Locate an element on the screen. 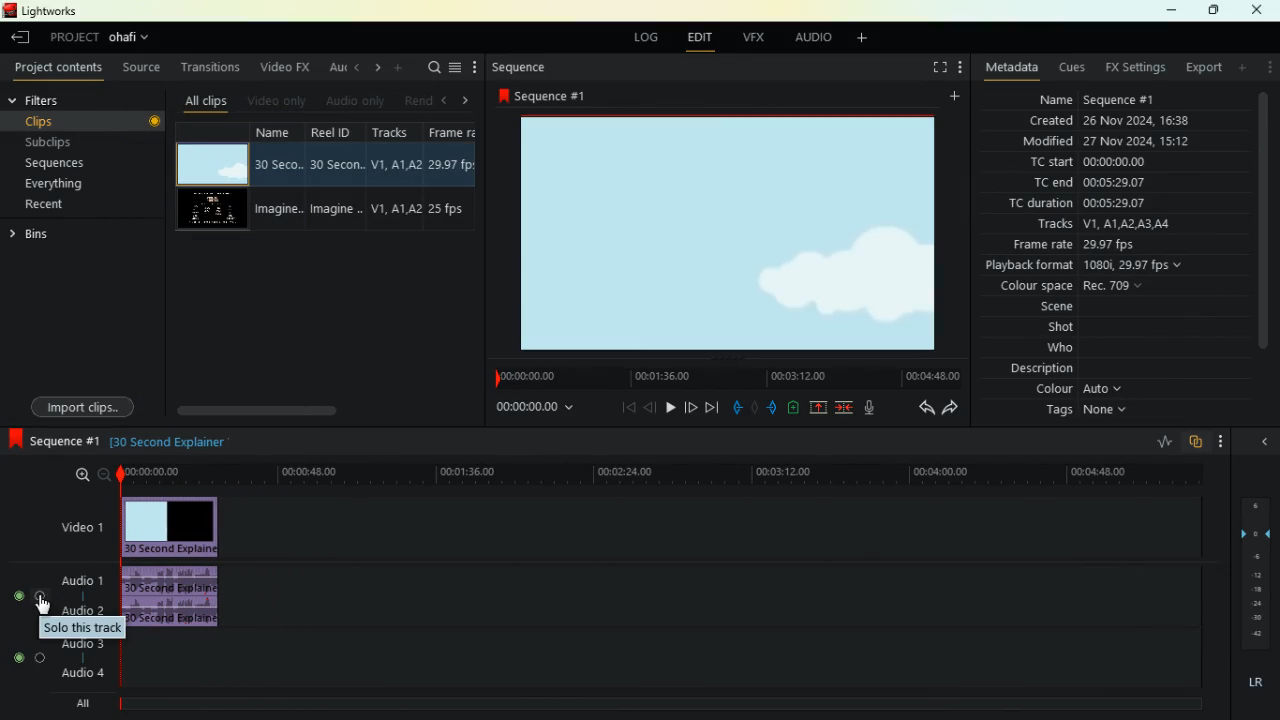 The image size is (1280, 720). video clip added to timeline is located at coordinates (171, 526).